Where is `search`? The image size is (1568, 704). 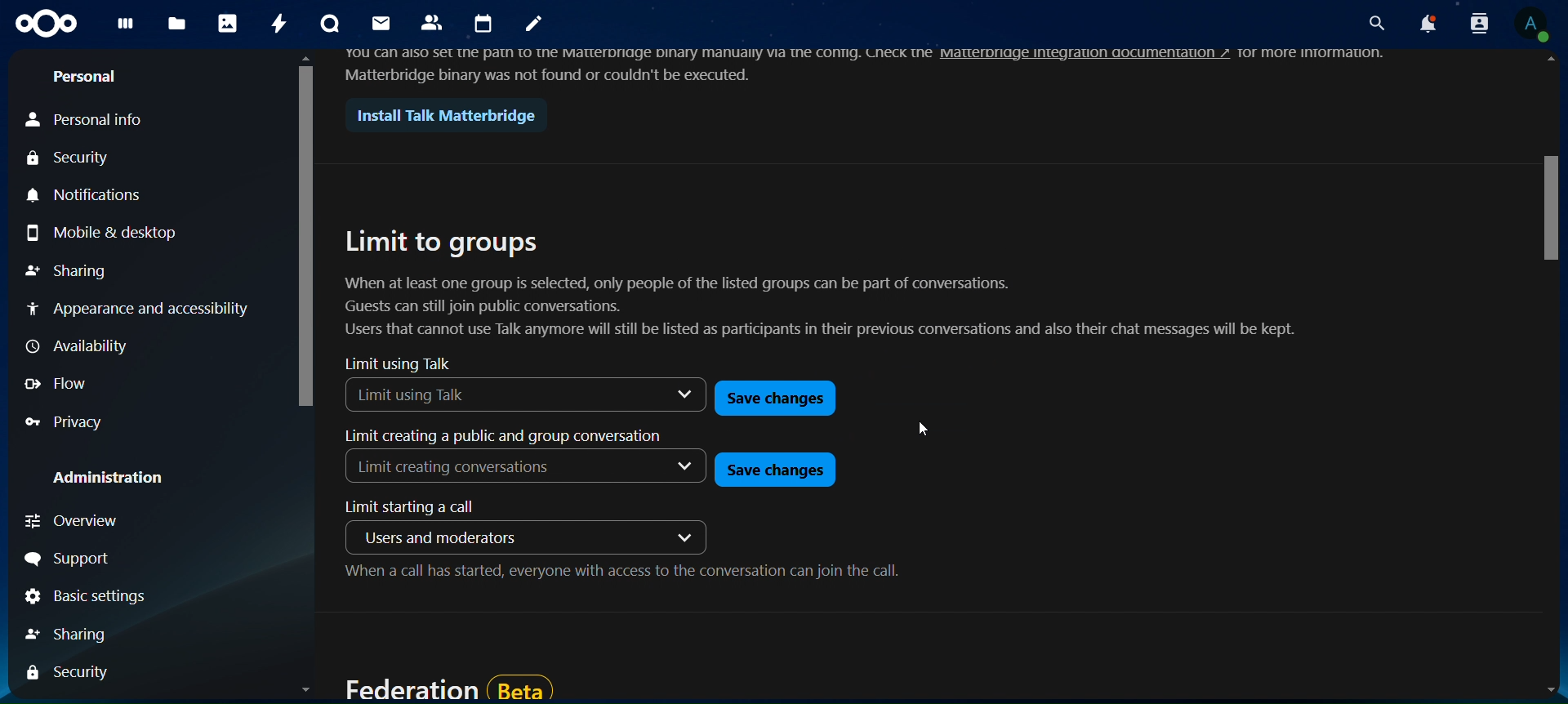
search is located at coordinates (1373, 25).